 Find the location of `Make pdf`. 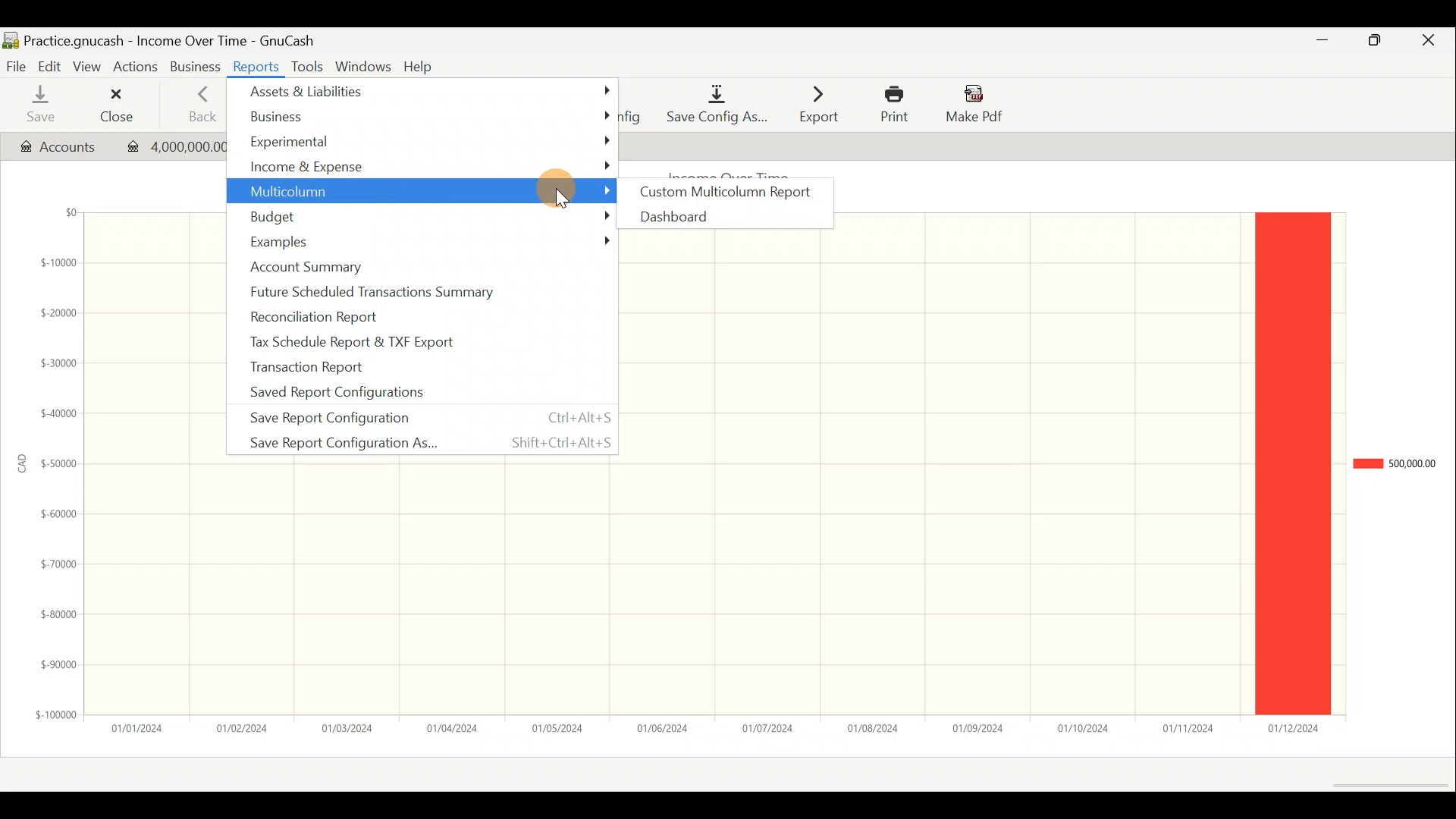

Make pdf is located at coordinates (979, 106).